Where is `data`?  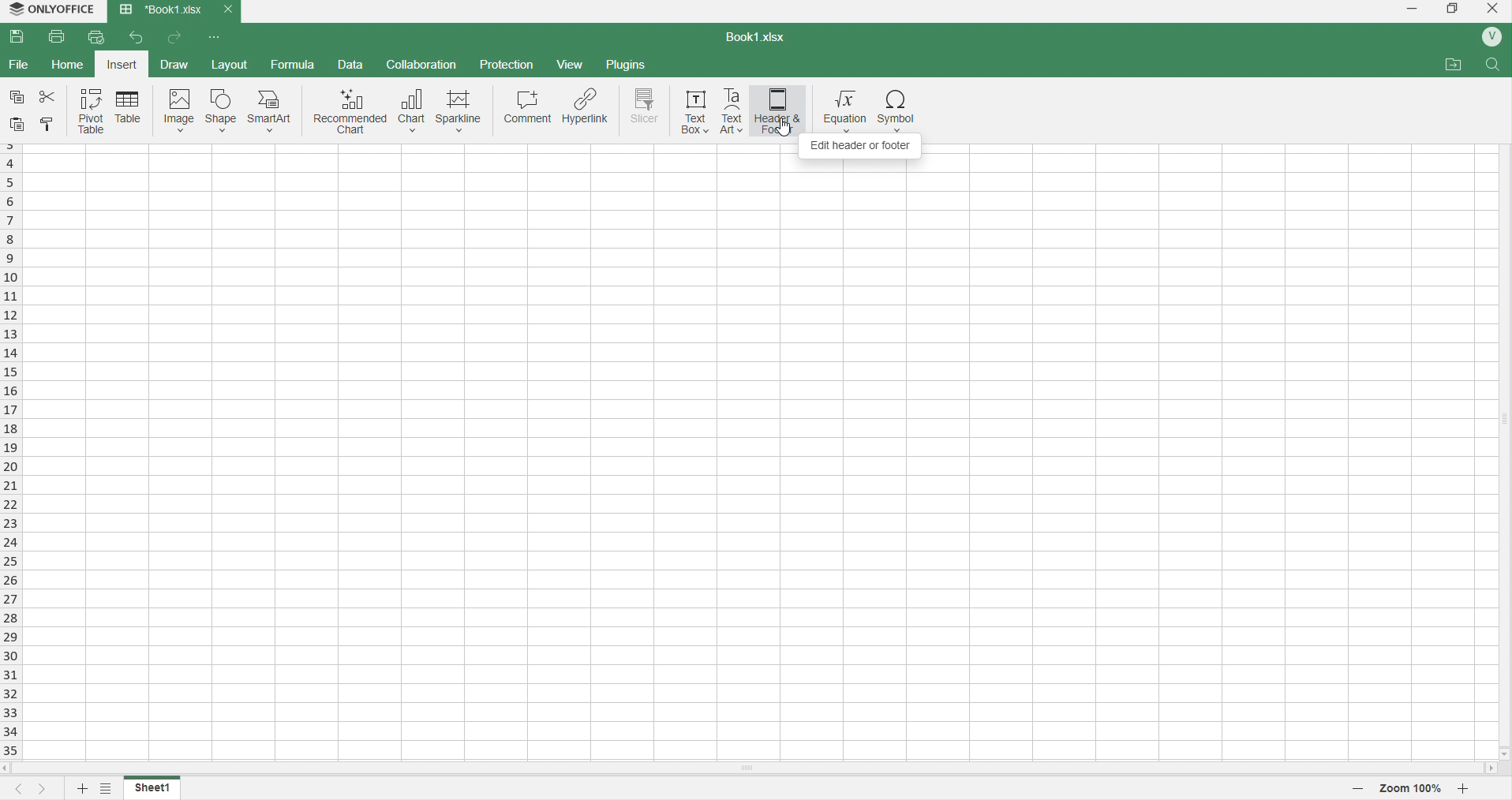 data is located at coordinates (353, 65).